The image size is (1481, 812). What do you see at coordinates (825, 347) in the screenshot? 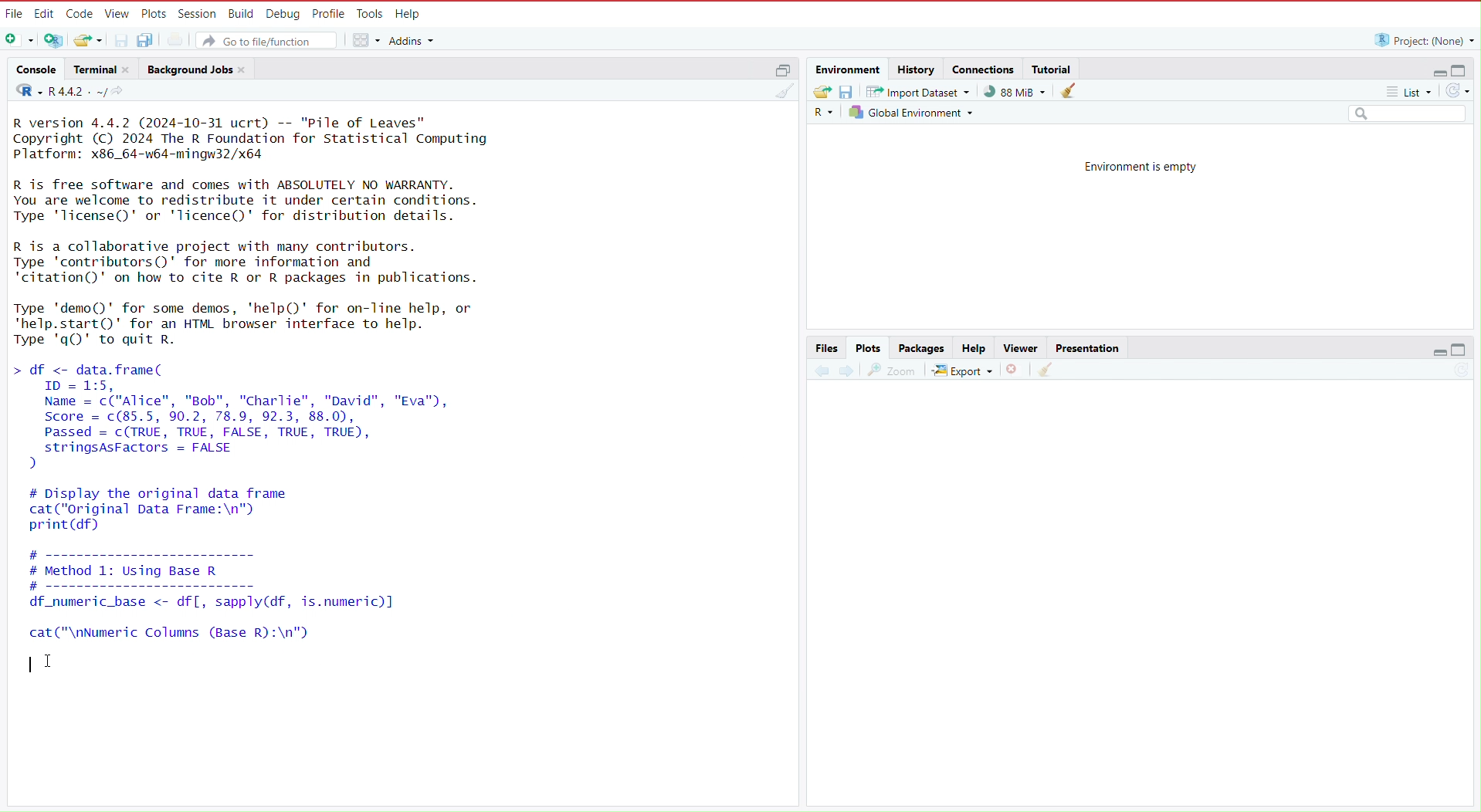
I see `Files` at bounding box center [825, 347].